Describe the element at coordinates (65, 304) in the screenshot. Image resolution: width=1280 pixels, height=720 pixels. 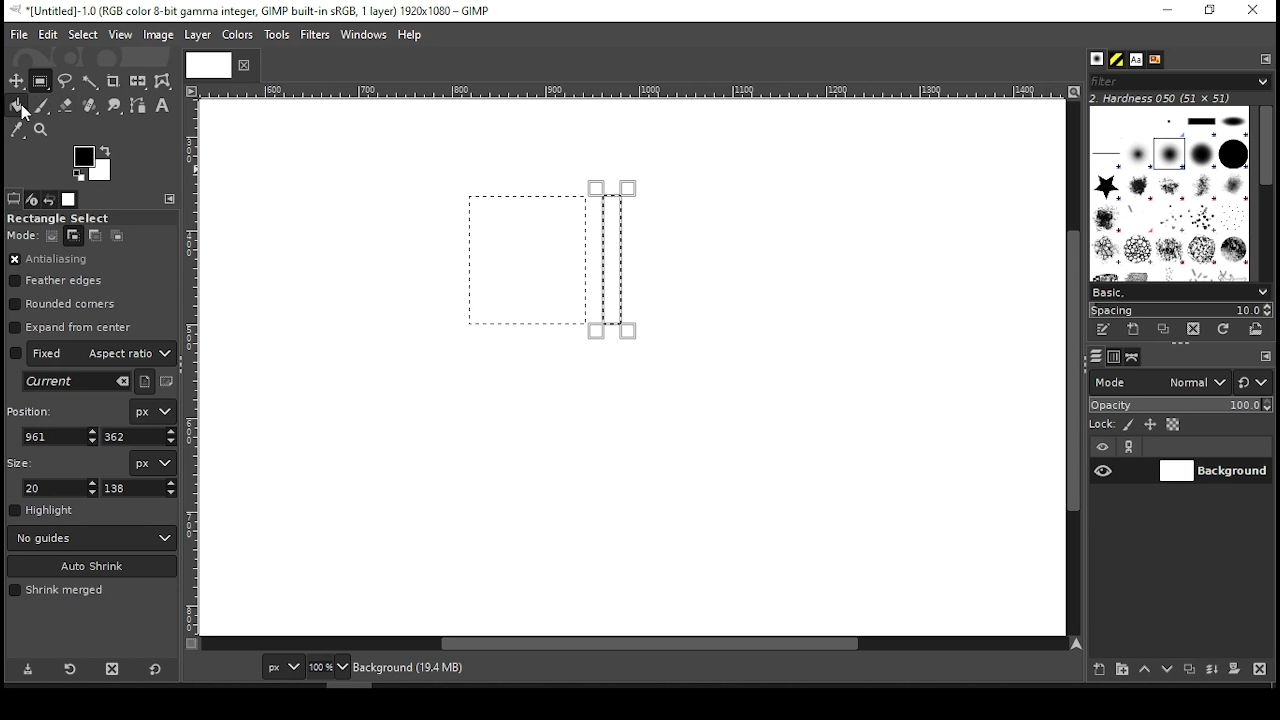
I see `rounded corners` at that location.